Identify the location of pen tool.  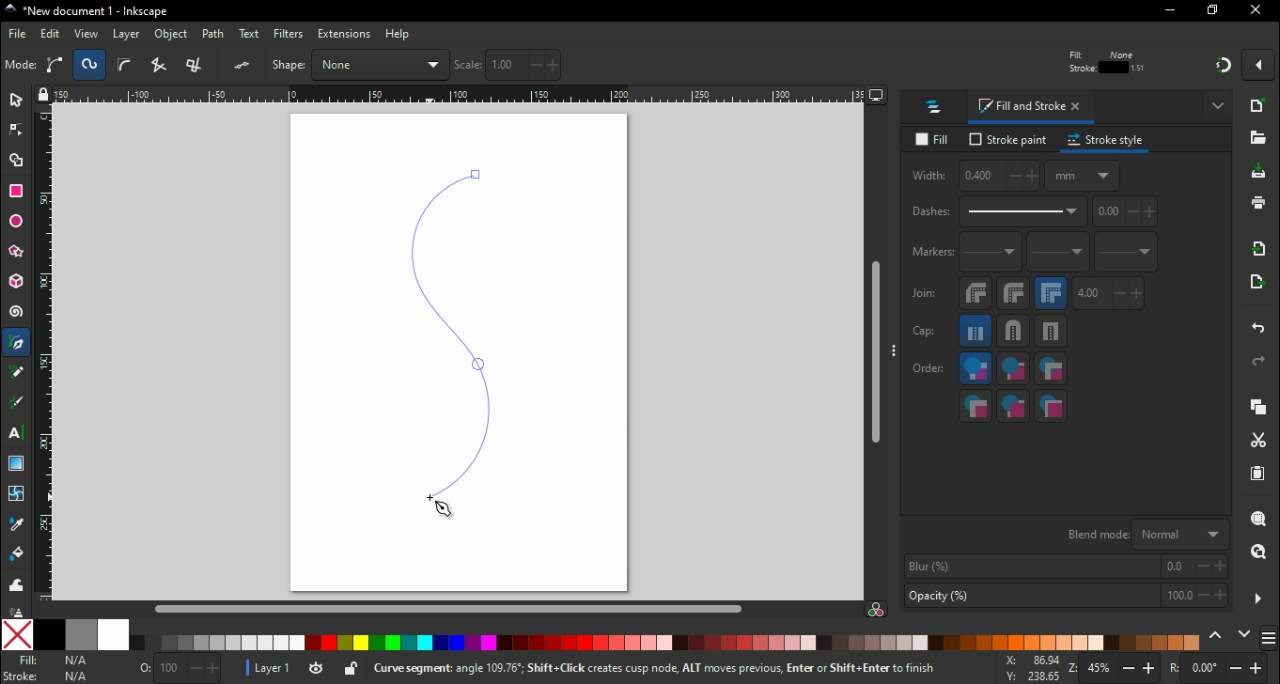
(18, 343).